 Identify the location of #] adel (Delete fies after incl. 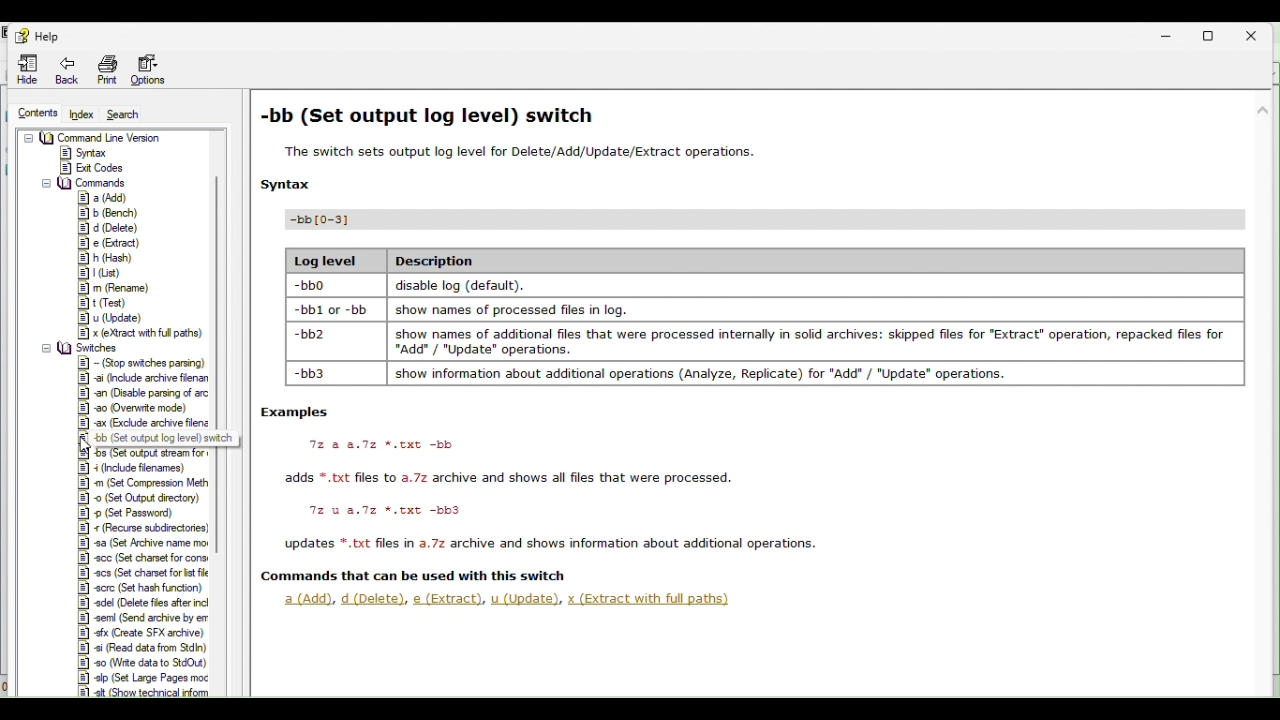
(147, 603).